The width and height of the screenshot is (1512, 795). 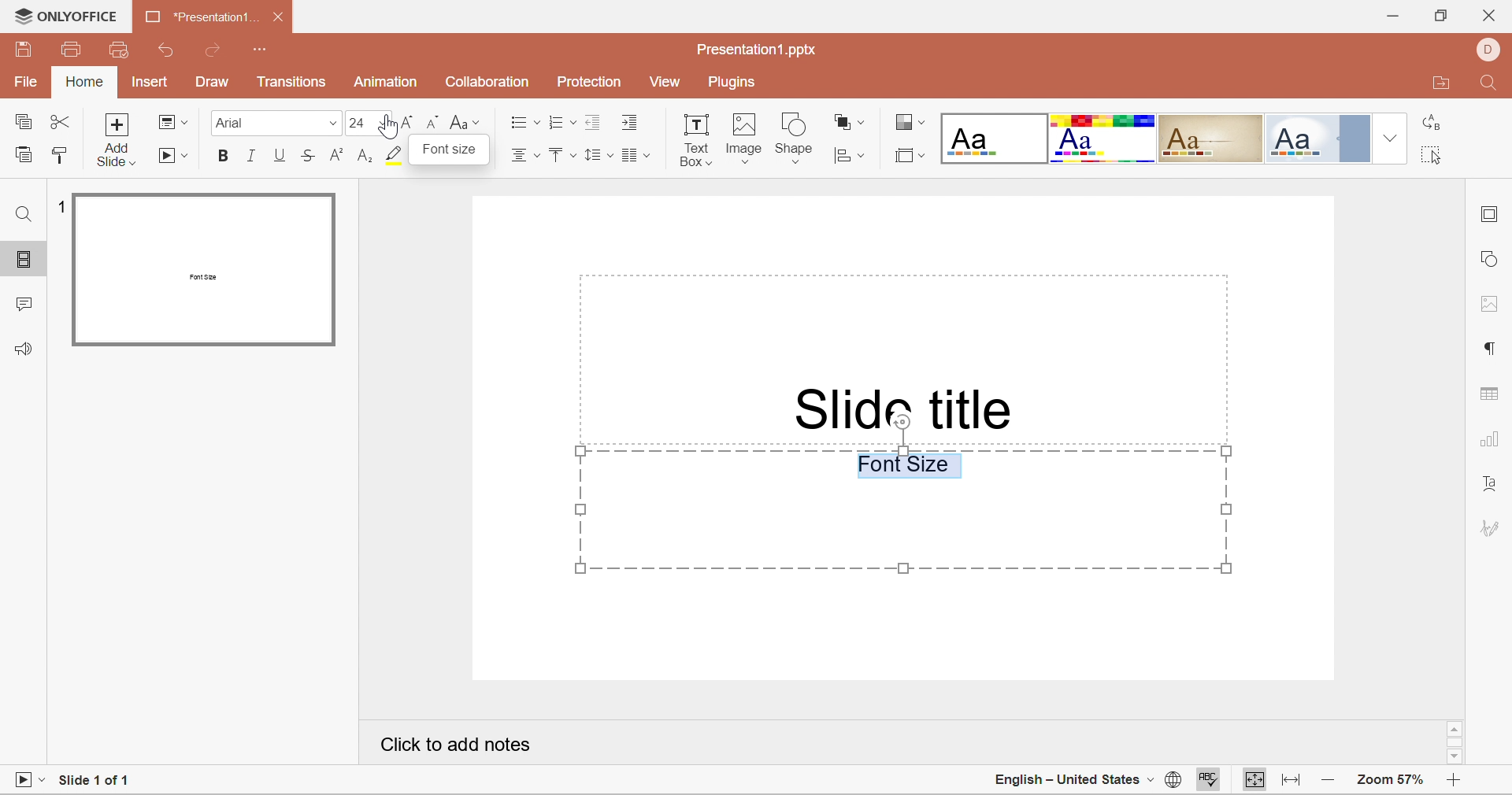 What do you see at coordinates (1458, 757) in the screenshot?
I see `Scroll Down` at bounding box center [1458, 757].